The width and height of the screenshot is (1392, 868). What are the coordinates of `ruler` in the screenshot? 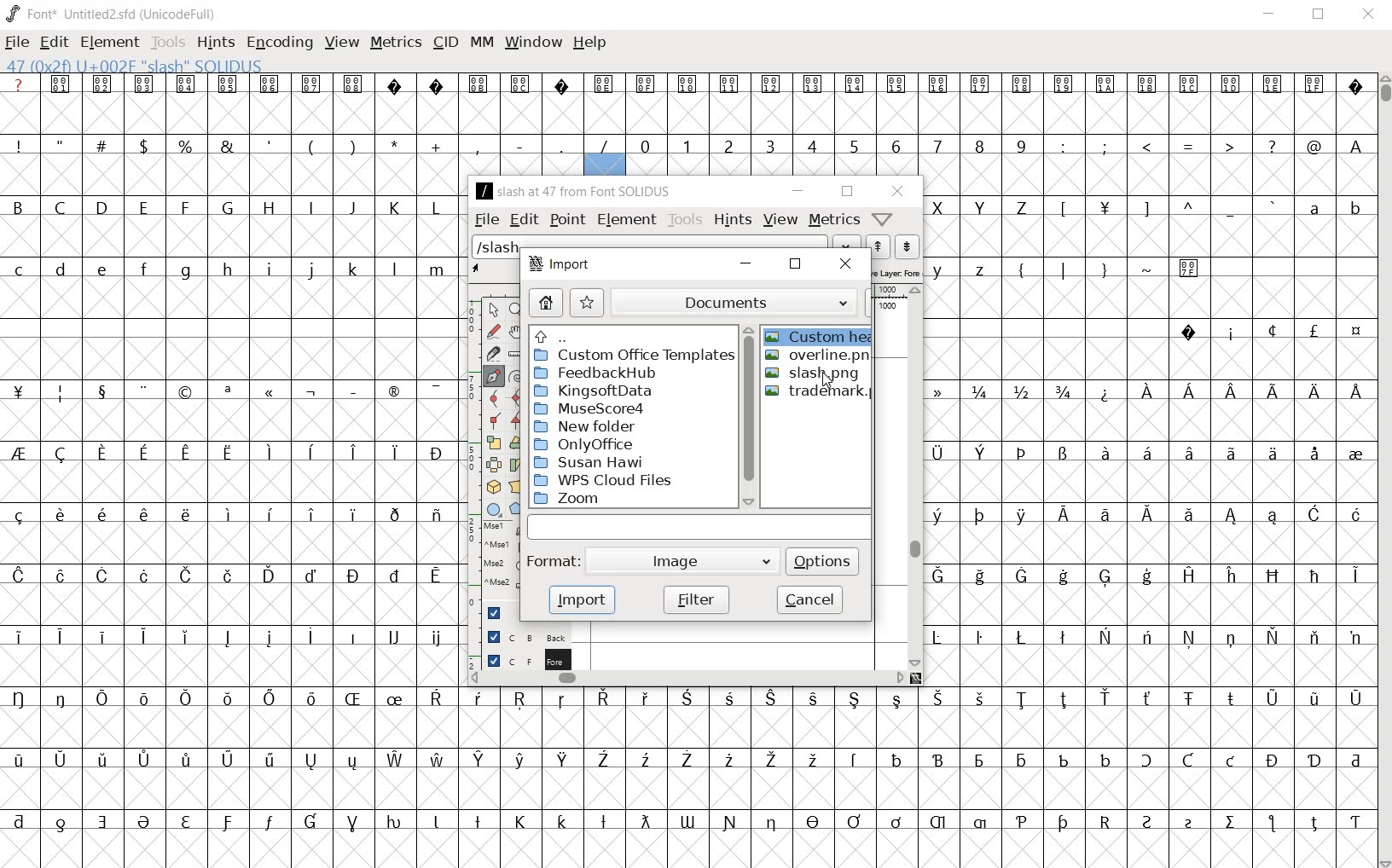 It's located at (890, 290).